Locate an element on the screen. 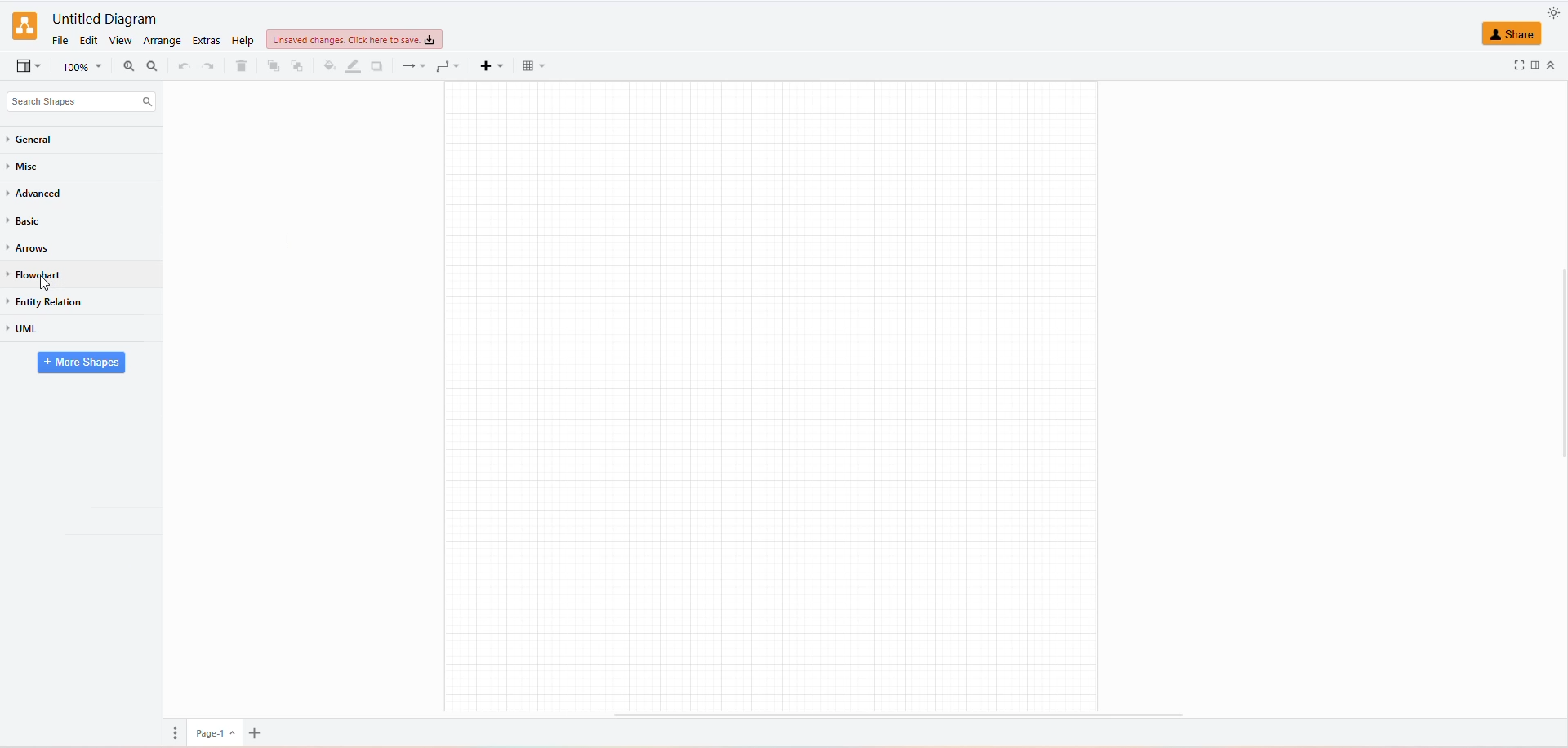 This screenshot has width=1568, height=748. ZOOM is located at coordinates (82, 67).